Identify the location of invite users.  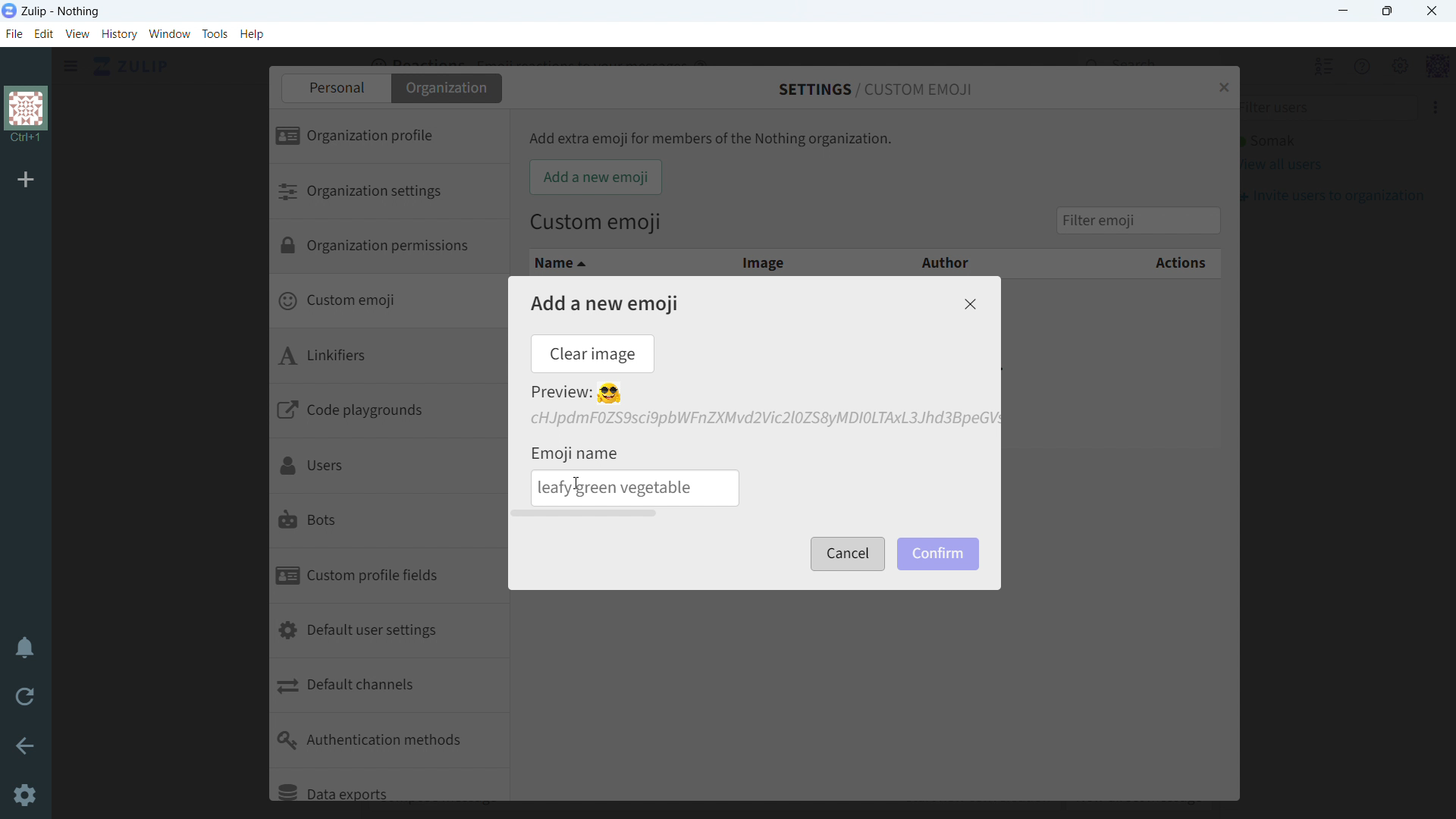
(1330, 196).